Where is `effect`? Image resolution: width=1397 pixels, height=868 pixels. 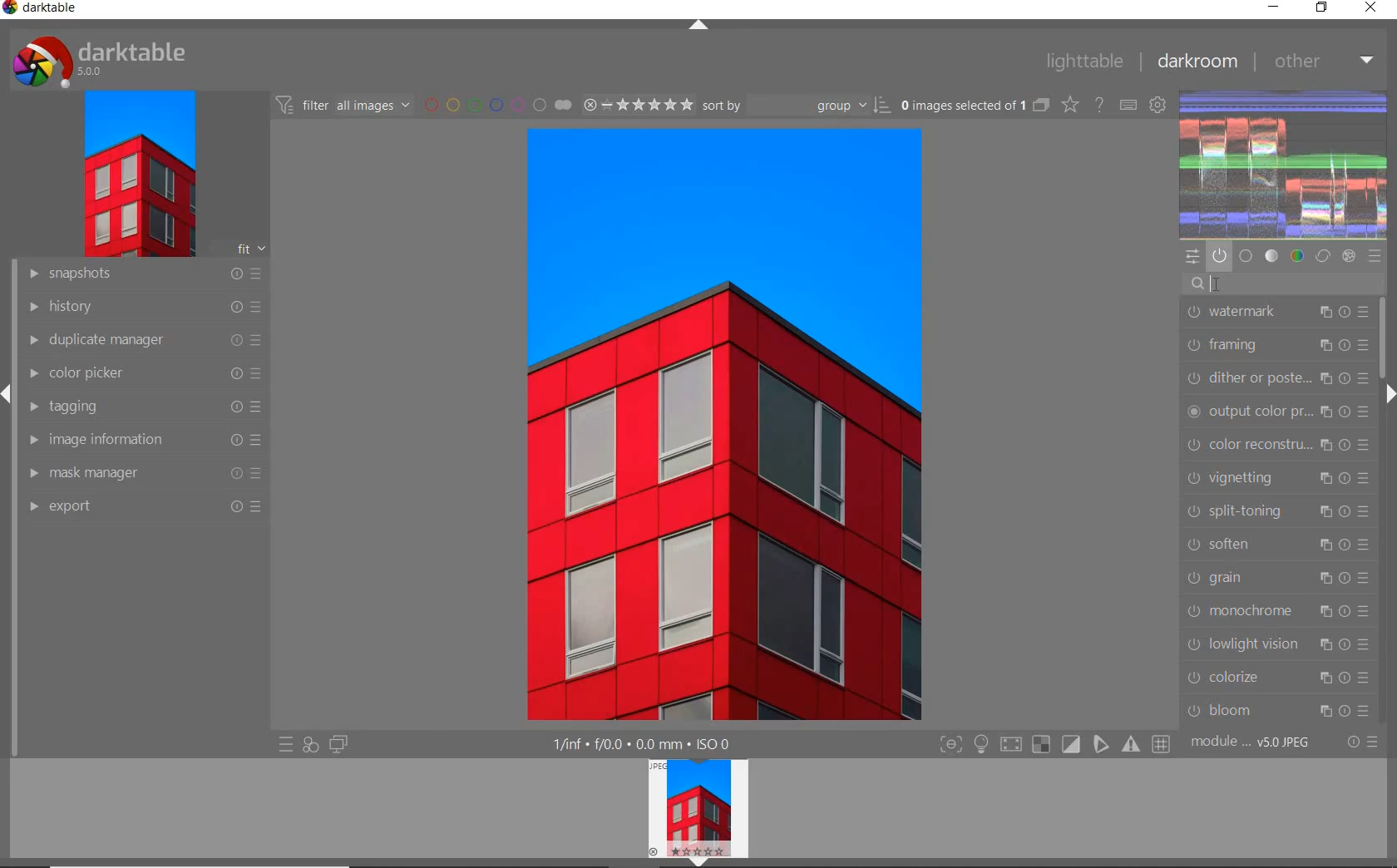
effect is located at coordinates (1350, 256).